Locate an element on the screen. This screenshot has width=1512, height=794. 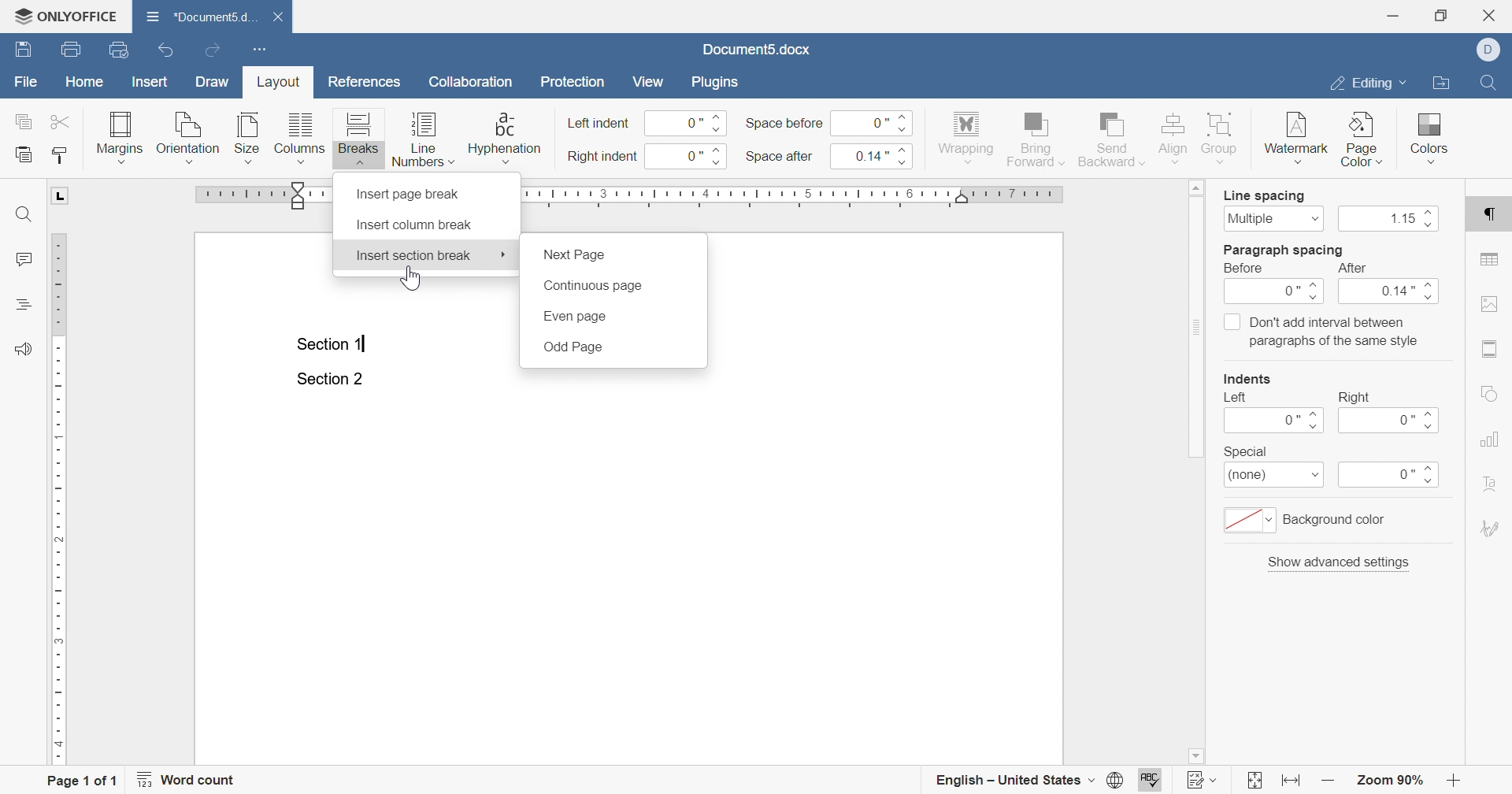
plugins is located at coordinates (714, 82).